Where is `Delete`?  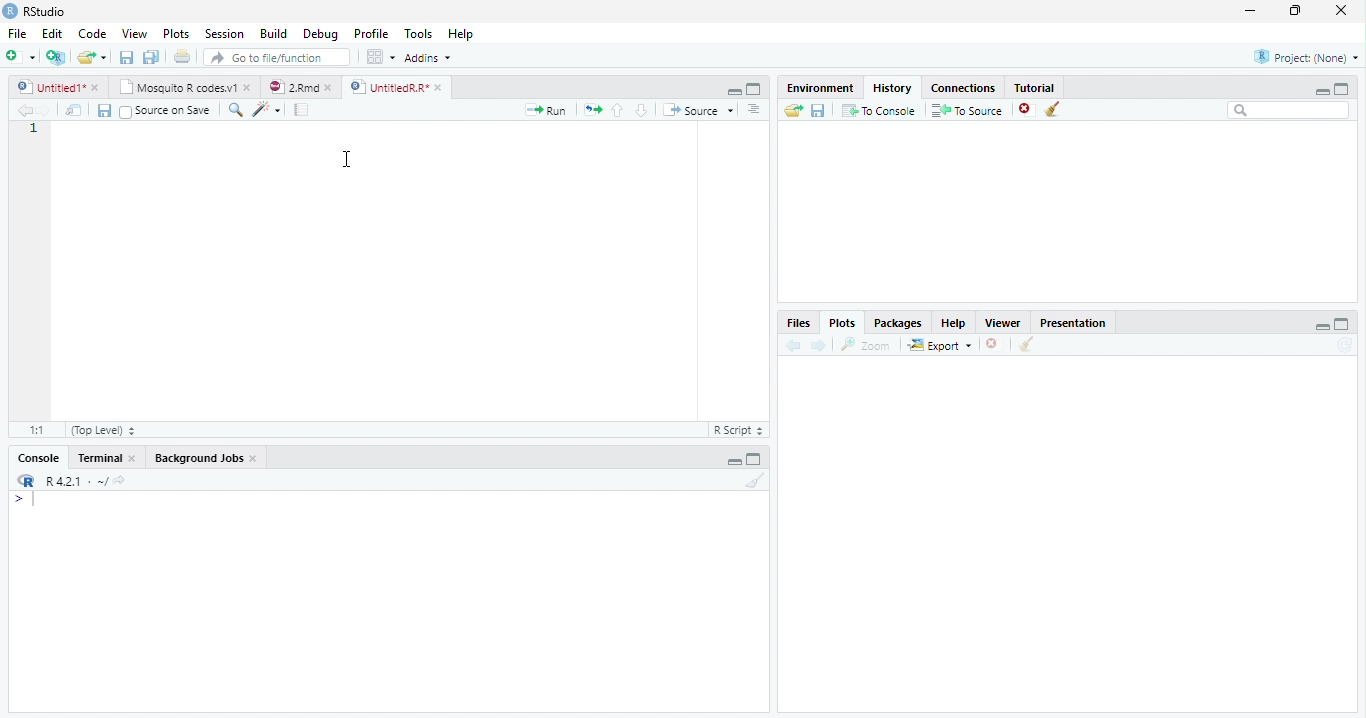 Delete is located at coordinates (1025, 107).